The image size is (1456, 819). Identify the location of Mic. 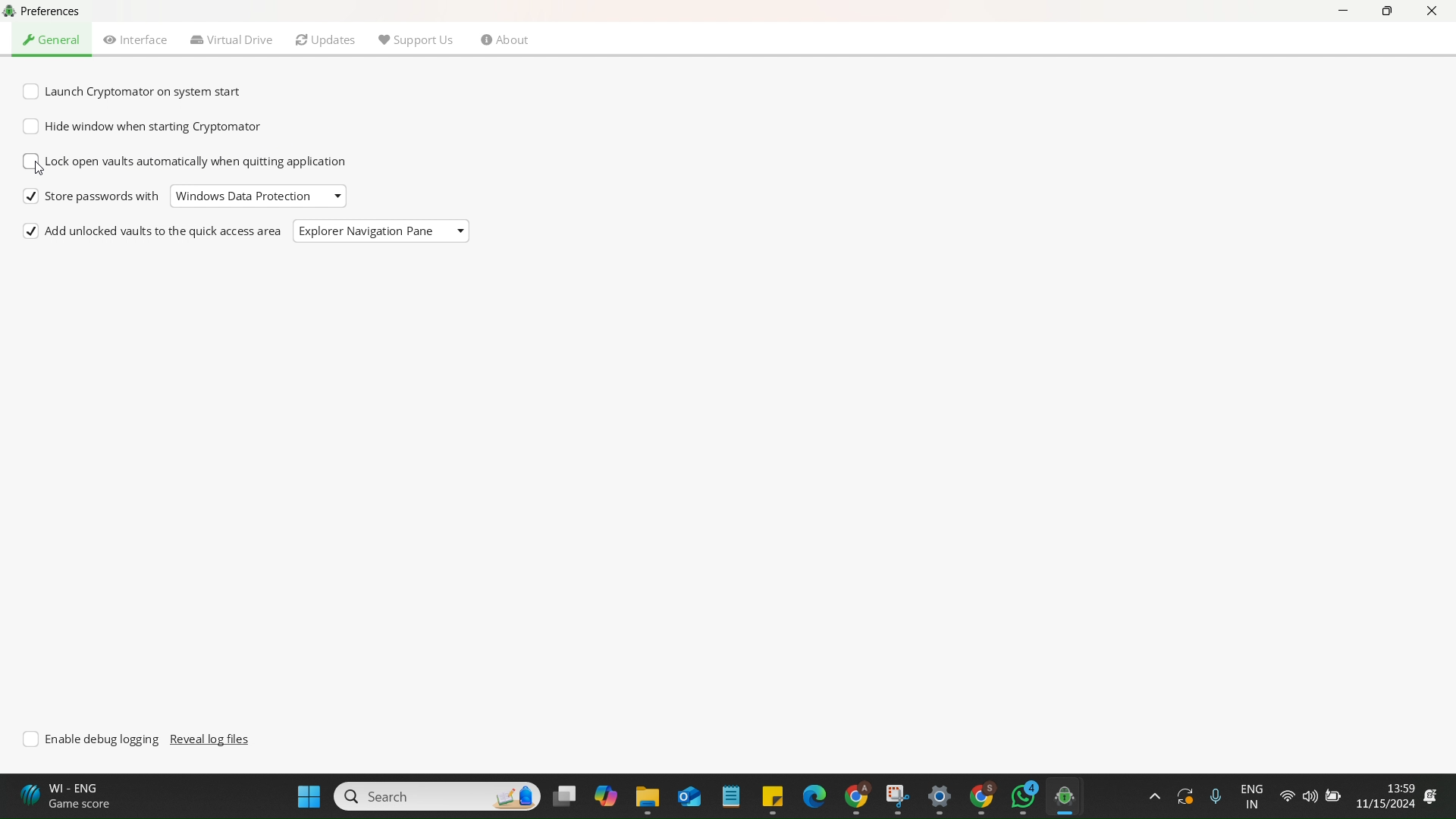
(1213, 794).